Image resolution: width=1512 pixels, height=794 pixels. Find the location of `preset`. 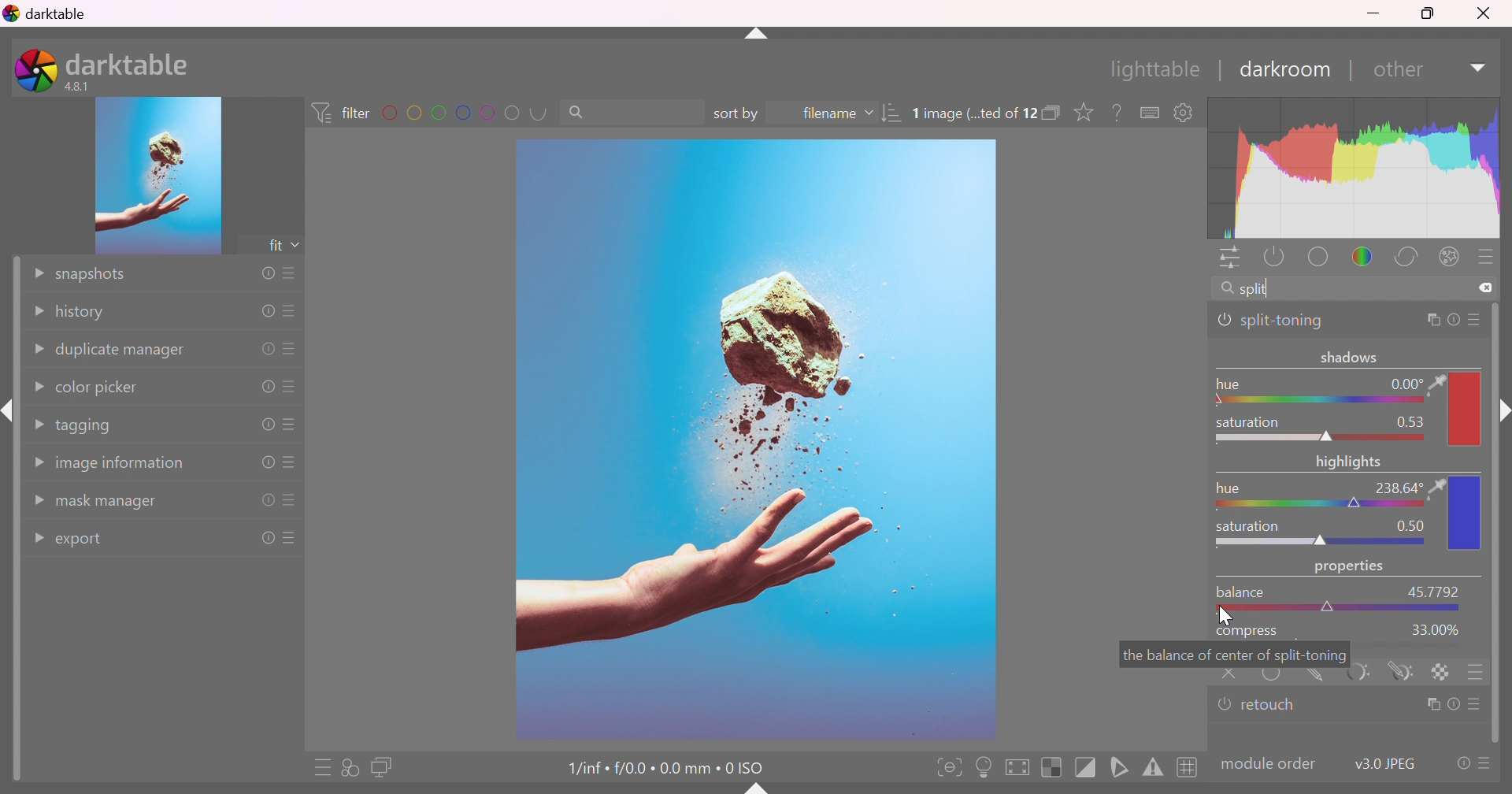

preset is located at coordinates (1480, 319).